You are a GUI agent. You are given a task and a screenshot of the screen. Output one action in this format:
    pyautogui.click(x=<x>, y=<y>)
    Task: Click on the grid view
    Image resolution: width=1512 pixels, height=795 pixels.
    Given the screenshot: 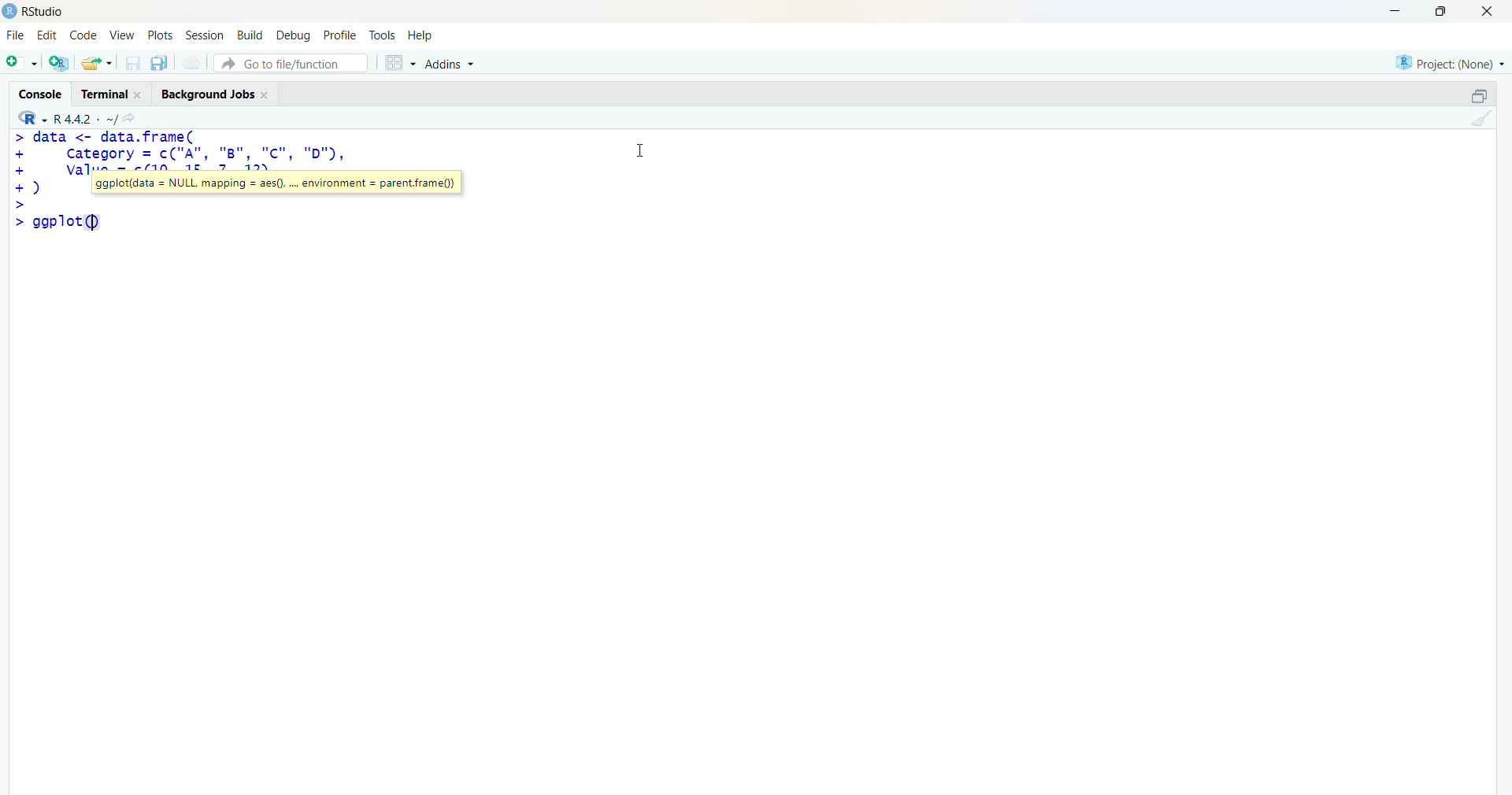 What is the action you would take?
    pyautogui.click(x=399, y=62)
    